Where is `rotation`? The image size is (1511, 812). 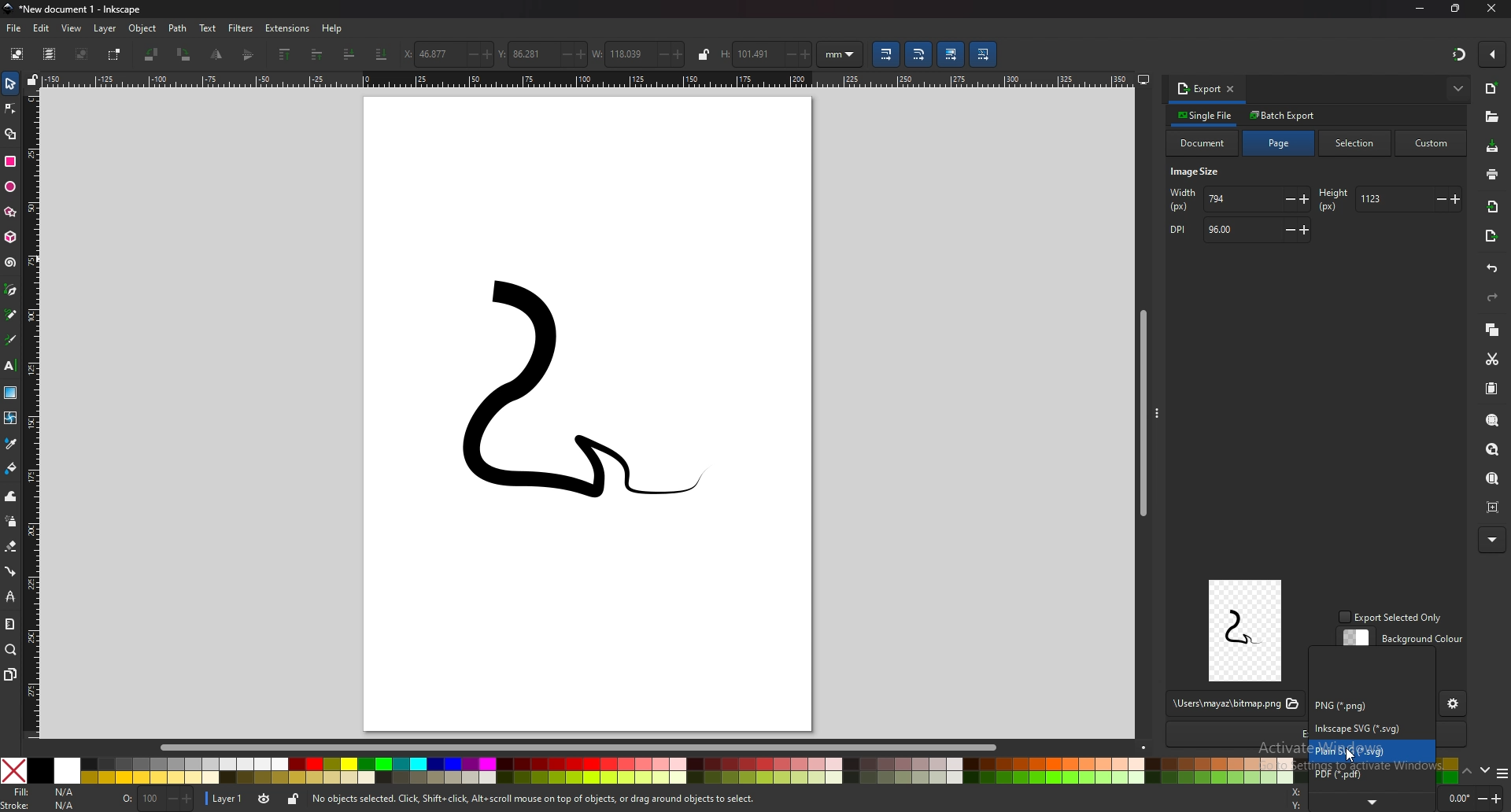
rotation is located at coordinates (1472, 798).